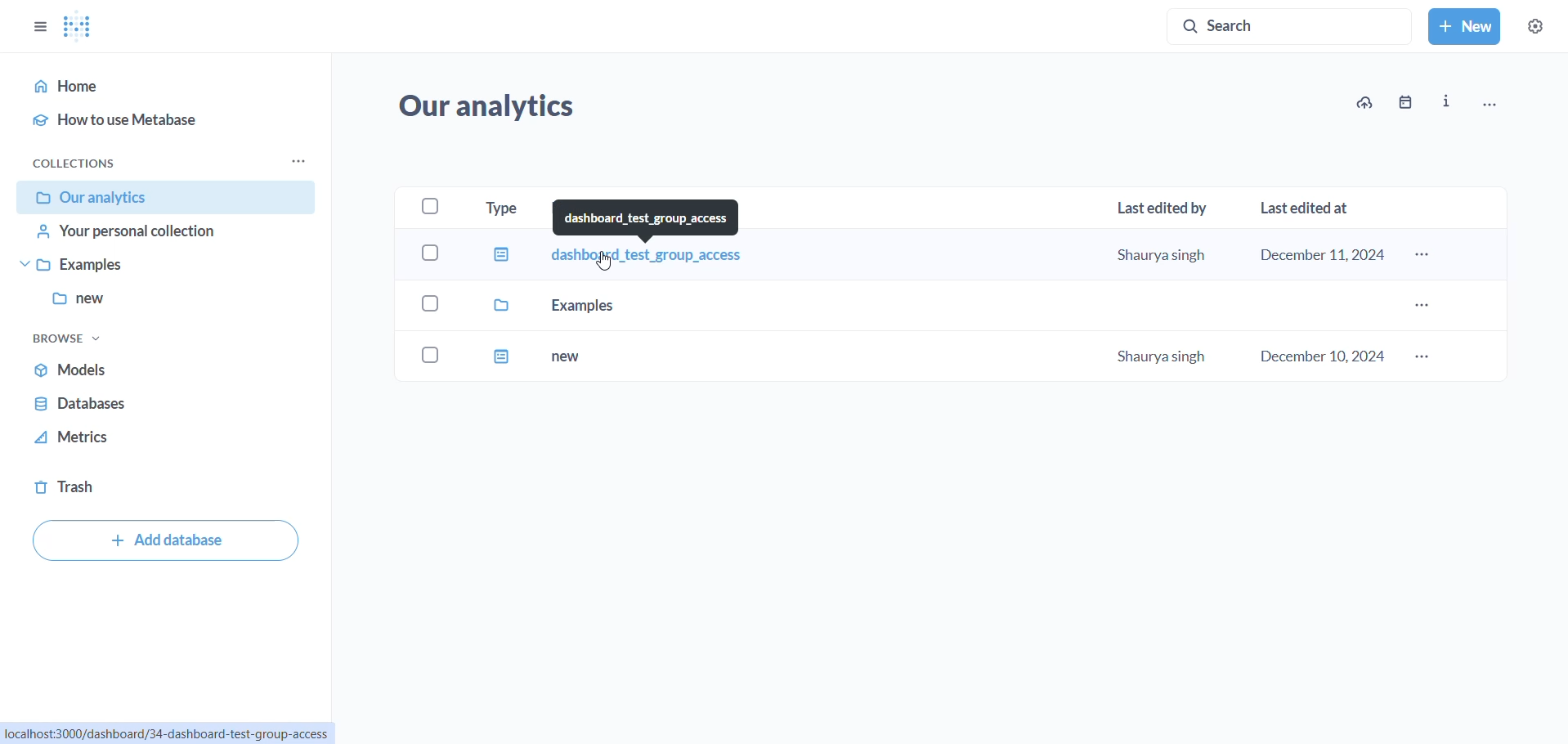  What do you see at coordinates (815, 356) in the screenshot?
I see `new ` at bounding box center [815, 356].